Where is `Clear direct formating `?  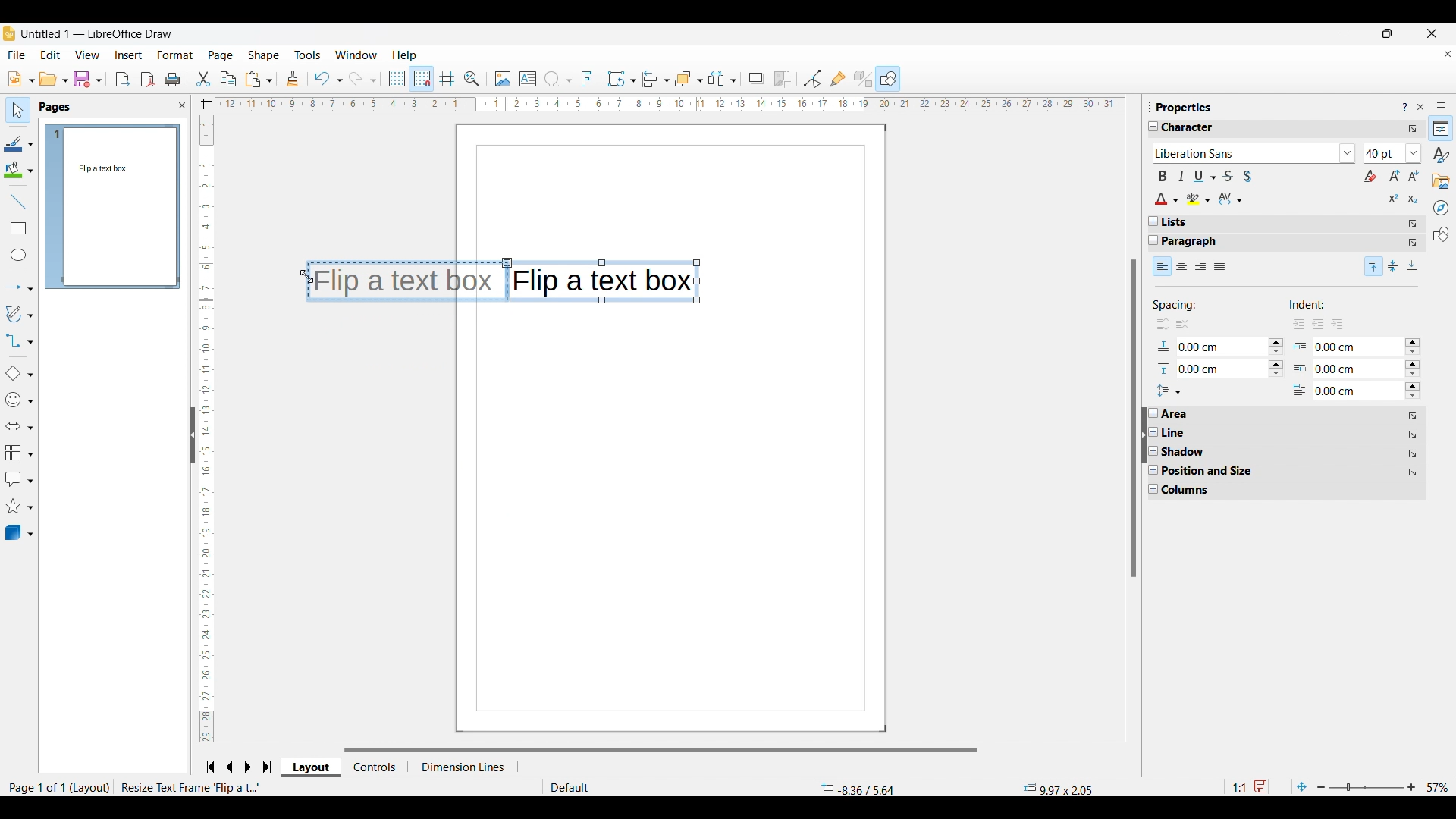
Clear direct formating  is located at coordinates (1370, 176).